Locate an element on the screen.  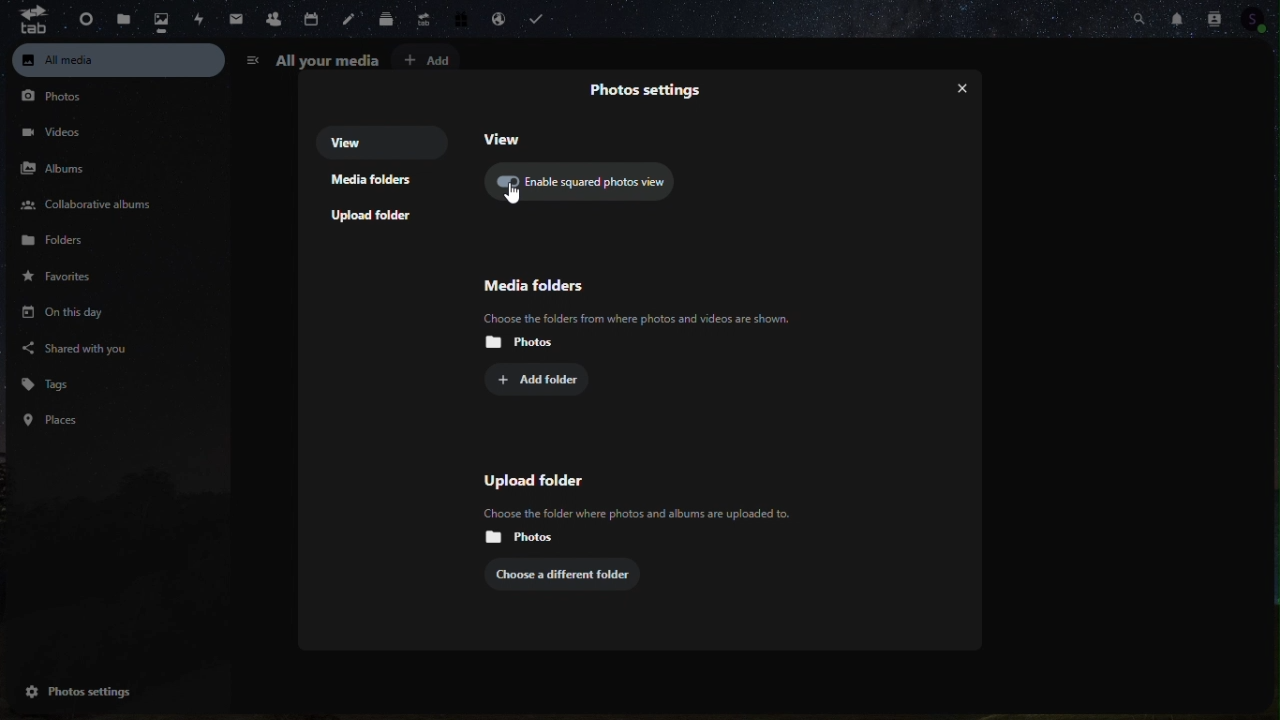
 is located at coordinates (651, 94).